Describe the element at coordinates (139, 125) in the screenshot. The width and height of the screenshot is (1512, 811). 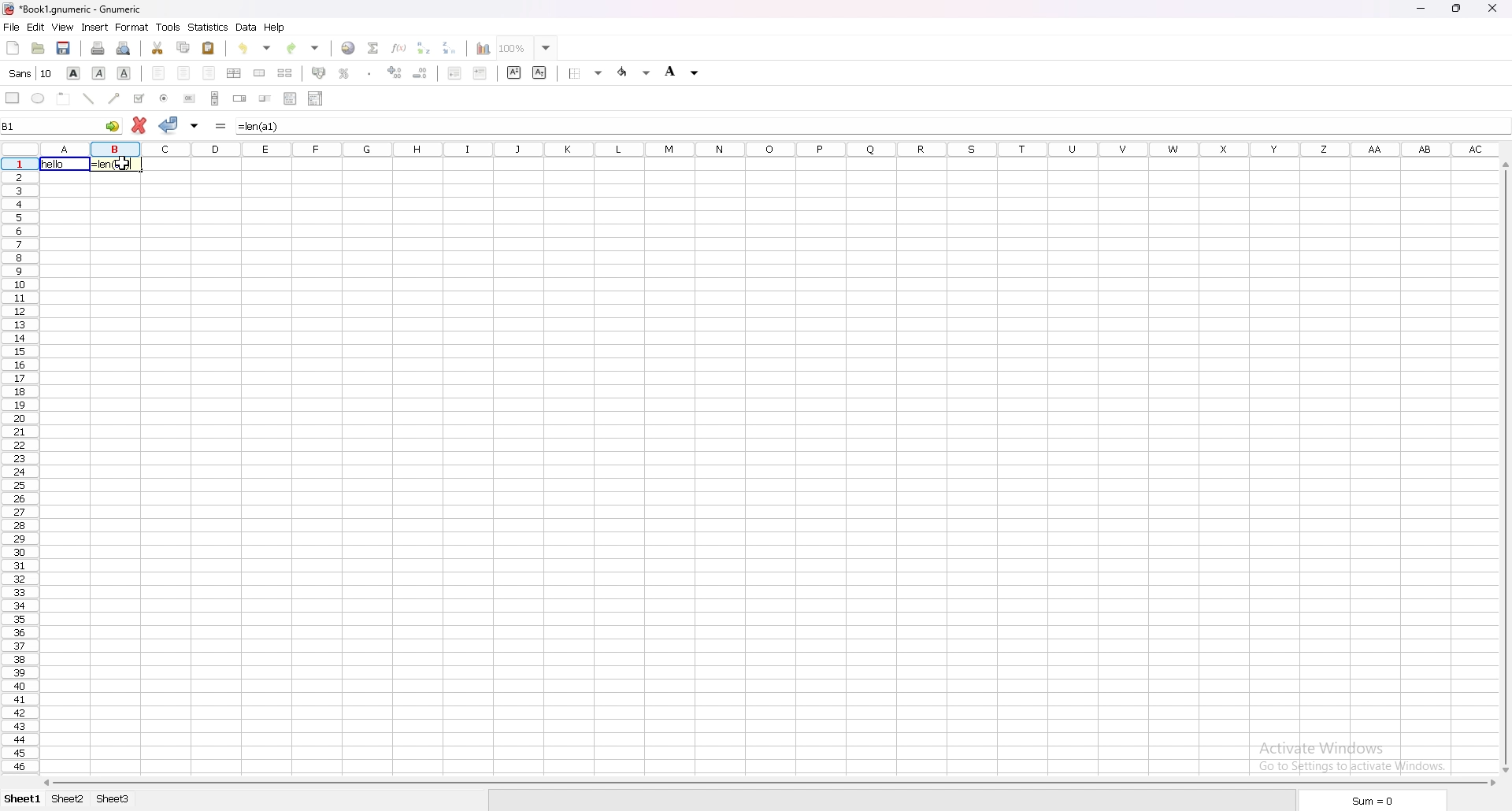
I see `cancel change` at that location.